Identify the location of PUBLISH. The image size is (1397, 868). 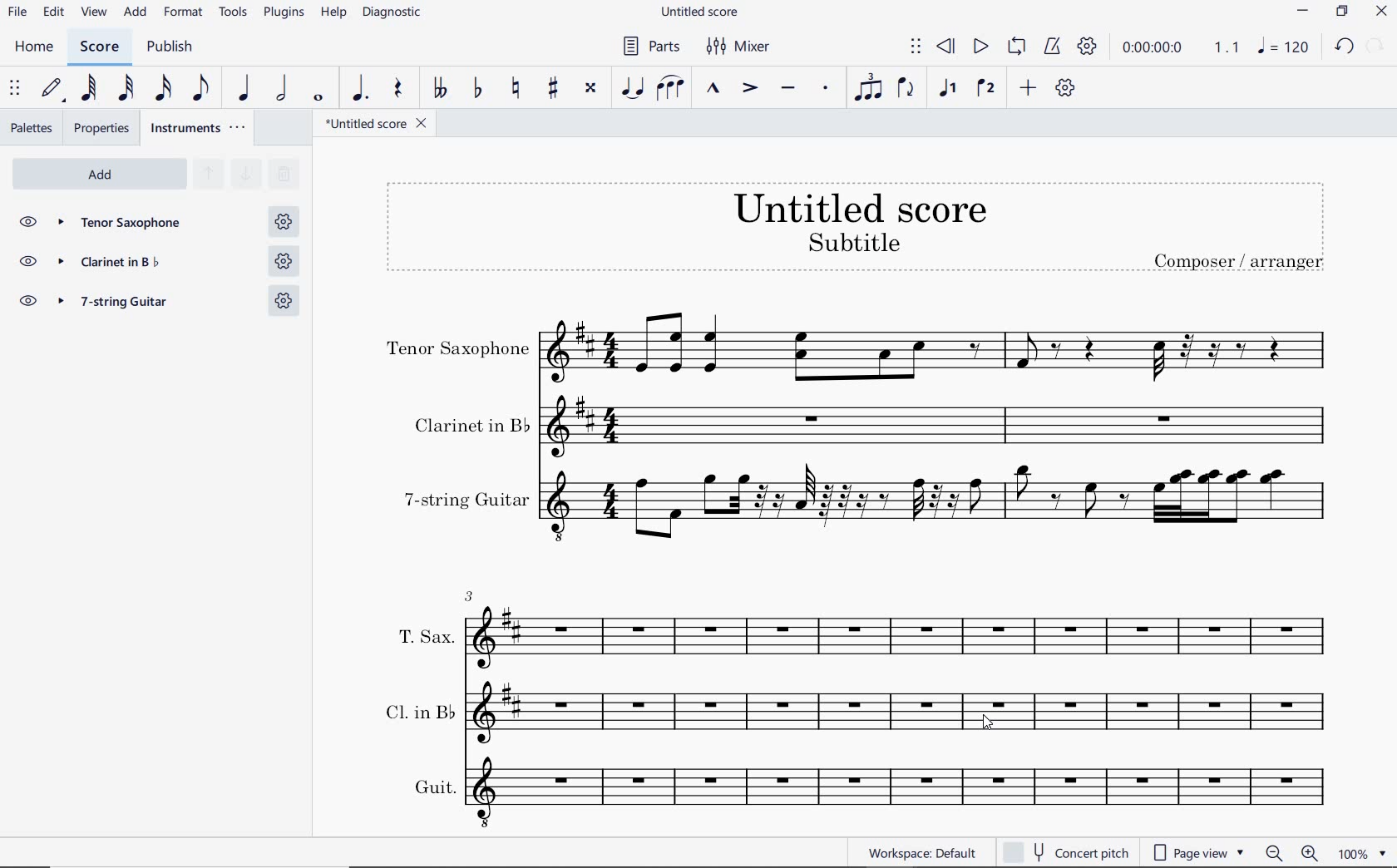
(167, 47).